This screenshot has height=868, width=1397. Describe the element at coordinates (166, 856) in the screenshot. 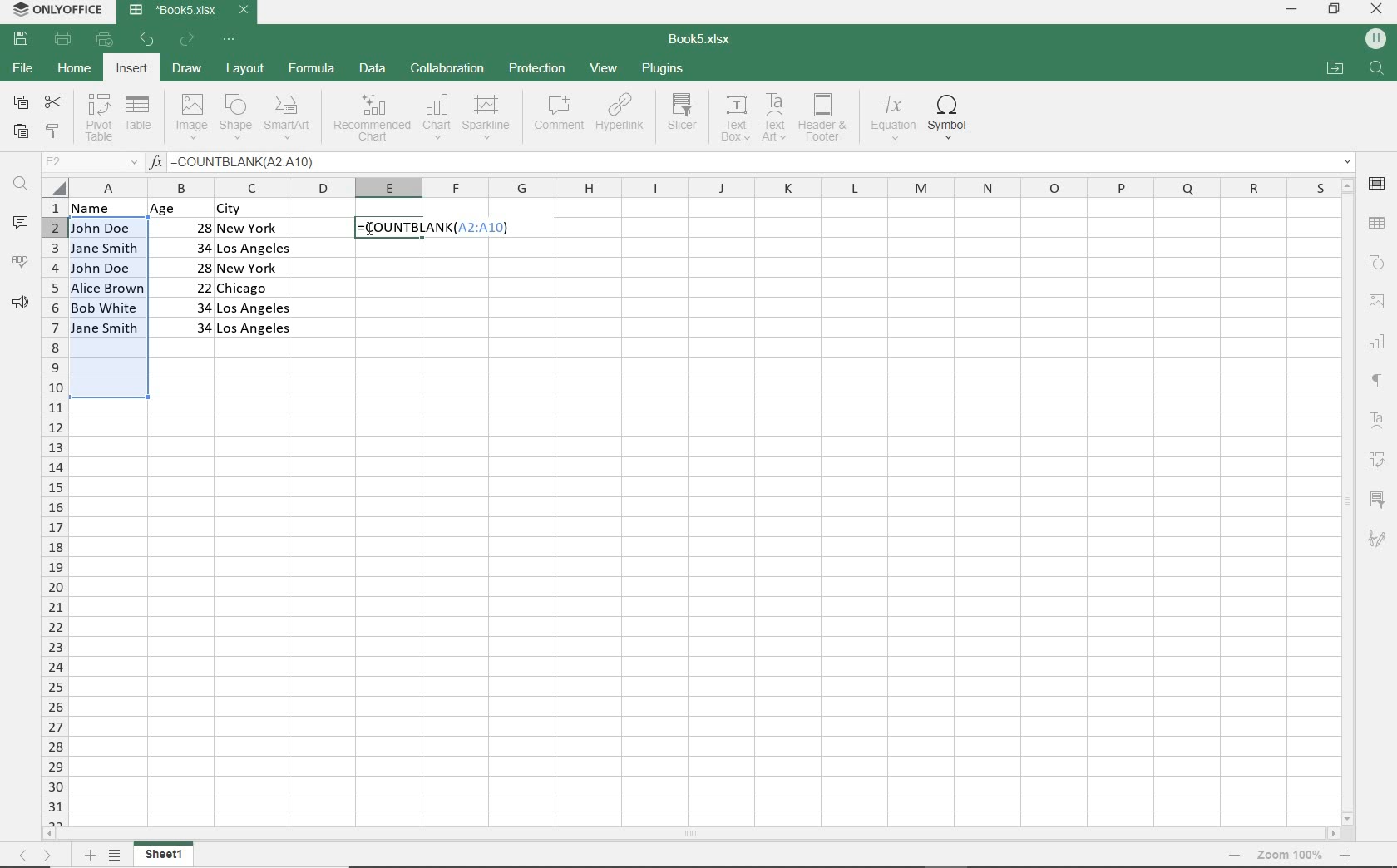

I see `SHEET NAME` at that location.